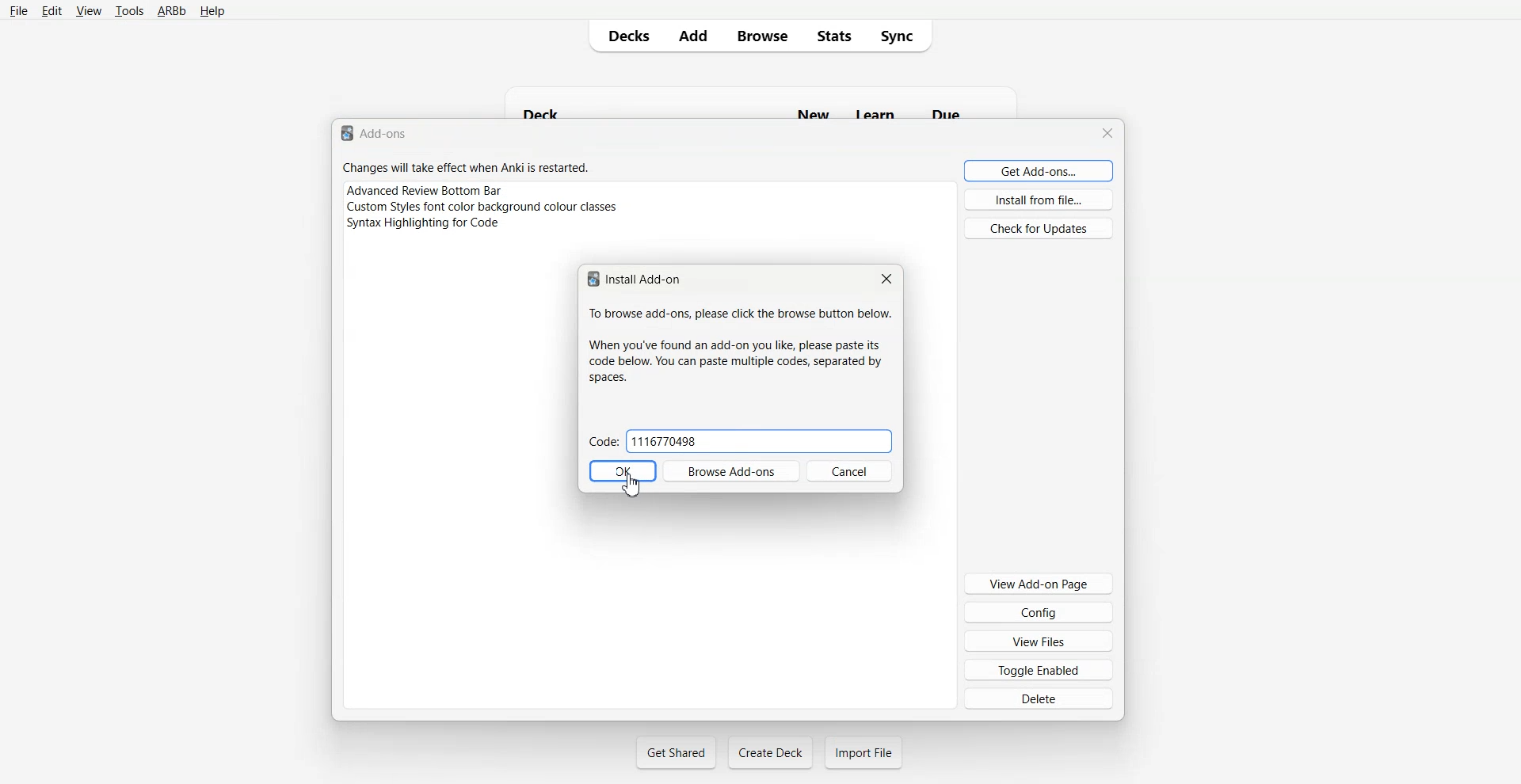 This screenshot has width=1521, height=784. I want to click on Get Shared, so click(677, 751).